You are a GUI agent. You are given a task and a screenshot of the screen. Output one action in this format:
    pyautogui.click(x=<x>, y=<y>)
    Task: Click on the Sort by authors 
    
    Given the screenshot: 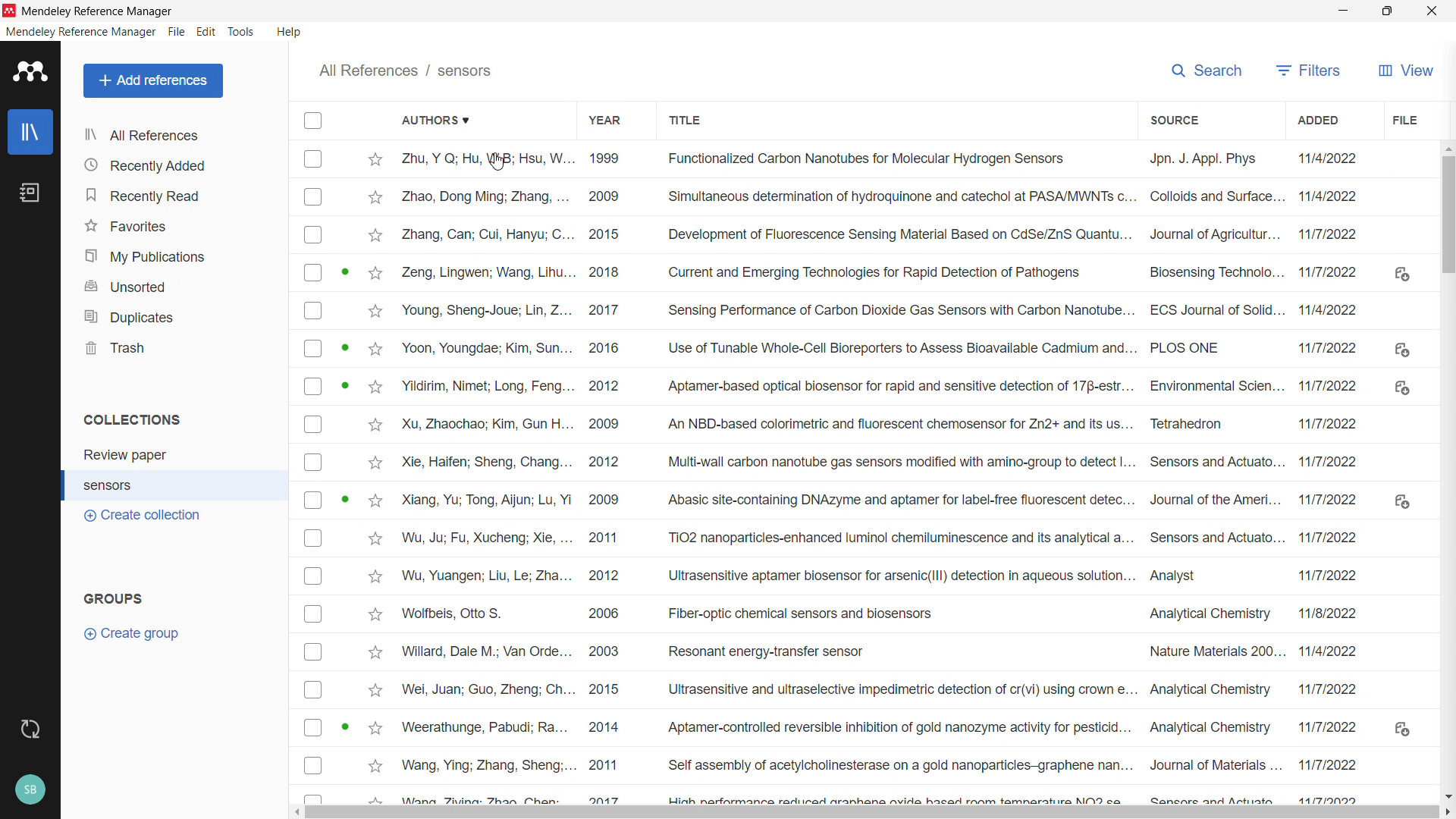 What is the action you would take?
    pyautogui.click(x=438, y=119)
    